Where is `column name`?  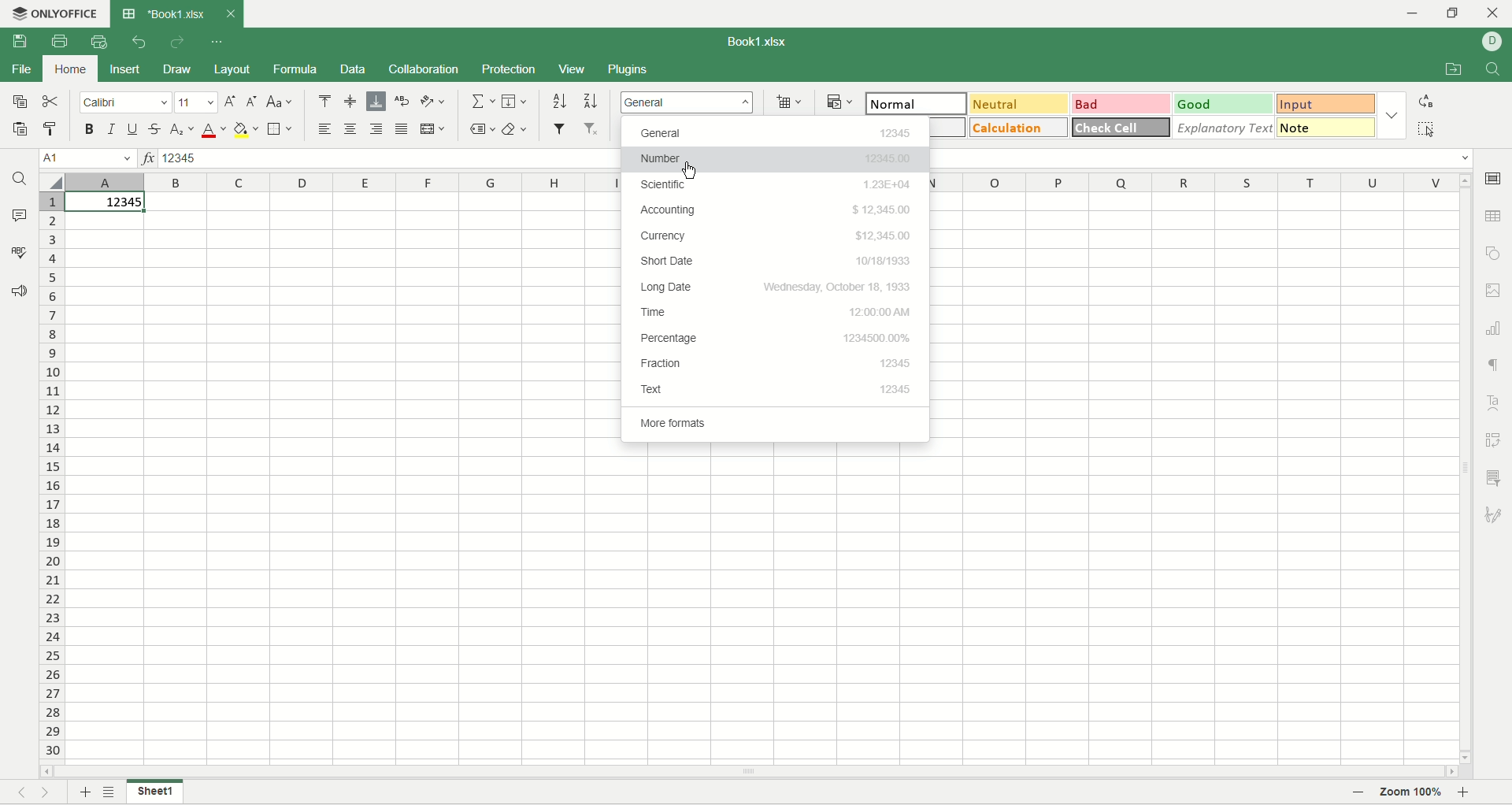
column name is located at coordinates (1188, 182).